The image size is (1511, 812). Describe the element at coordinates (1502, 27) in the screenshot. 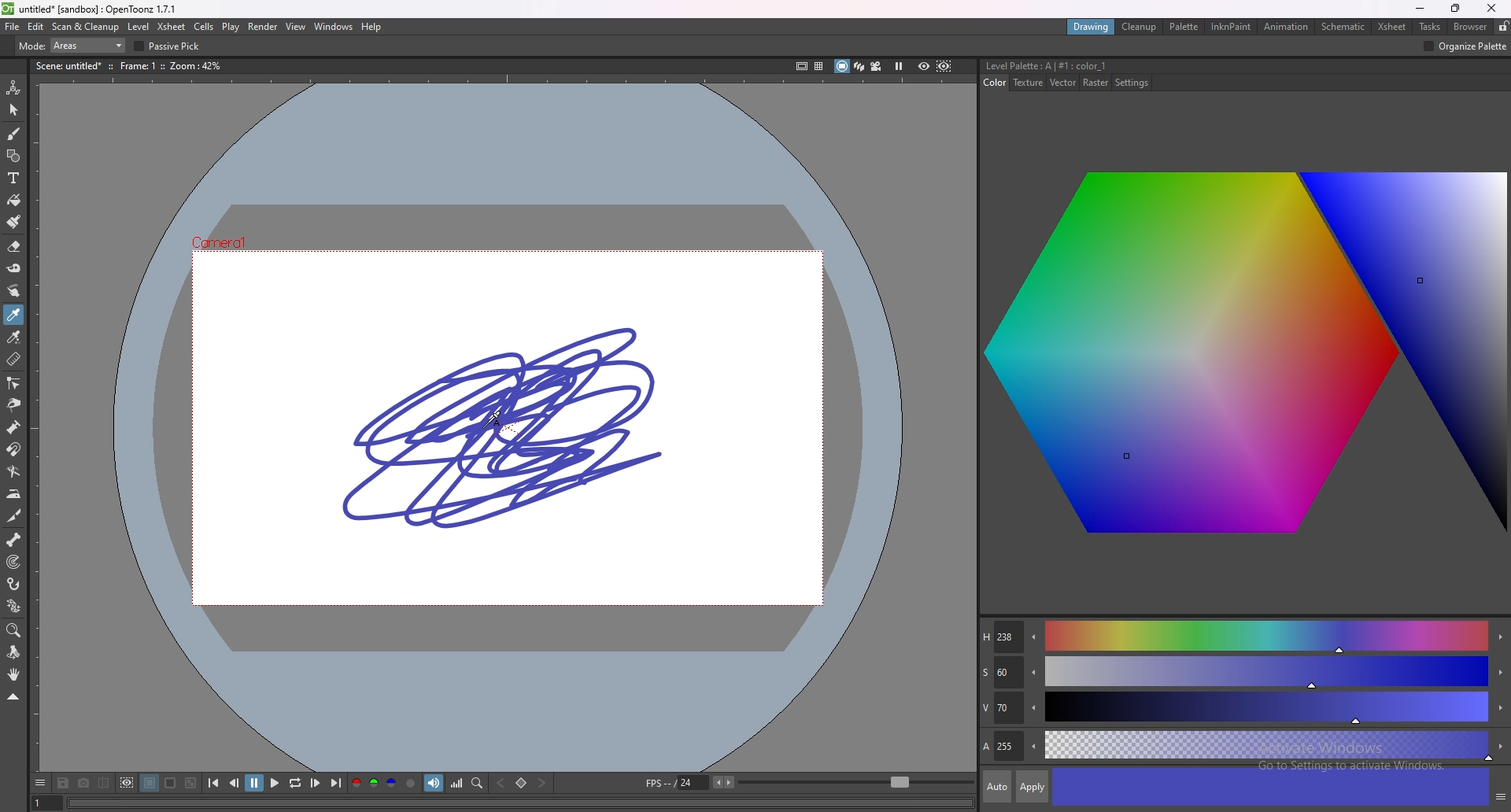

I see `lock` at that location.